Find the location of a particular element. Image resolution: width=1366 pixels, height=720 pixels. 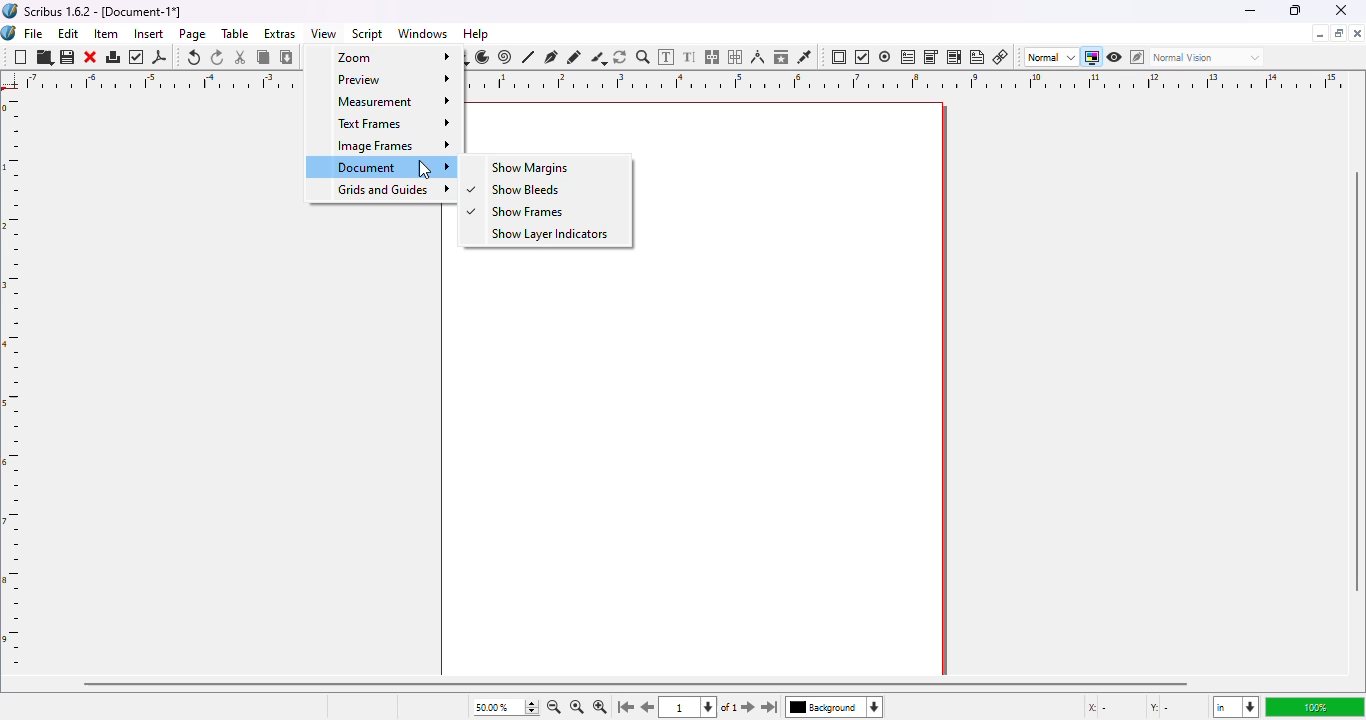

minimize is located at coordinates (1319, 34).